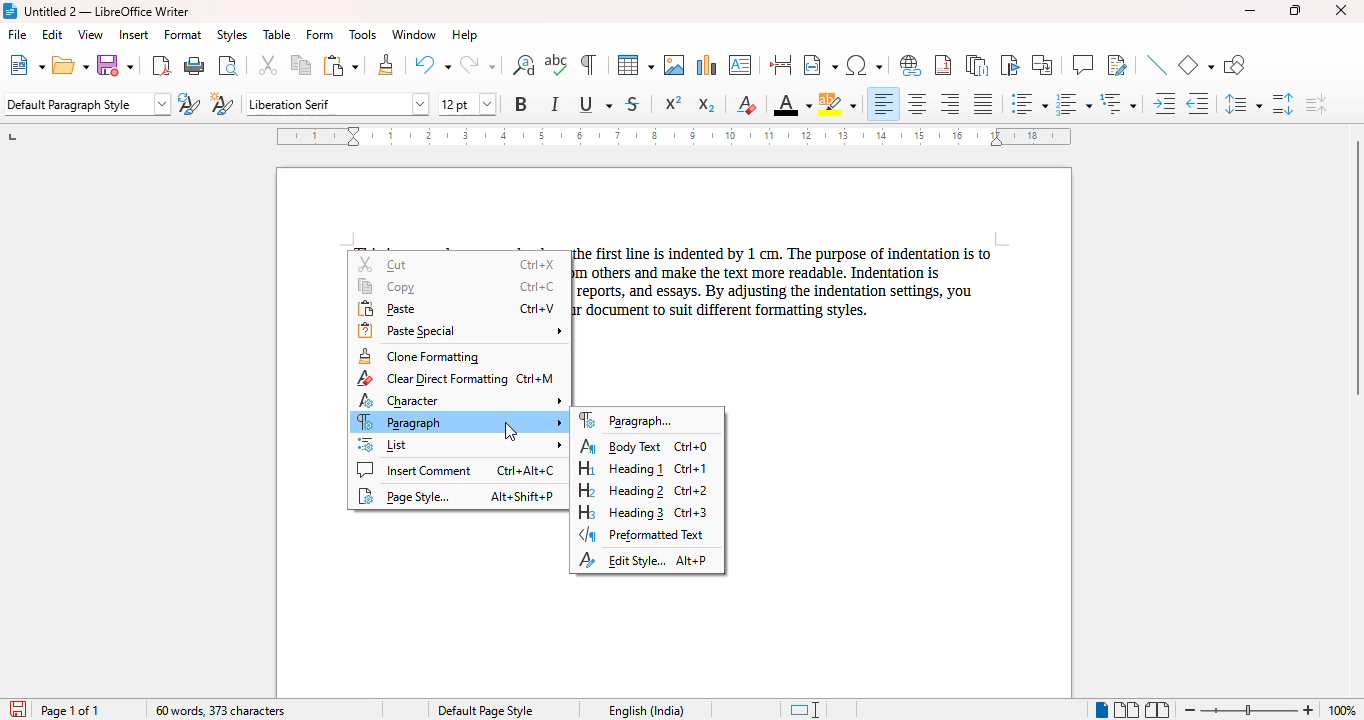 This screenshot has width=1364, height=720. I want to click on book view, so click(1158, 709).